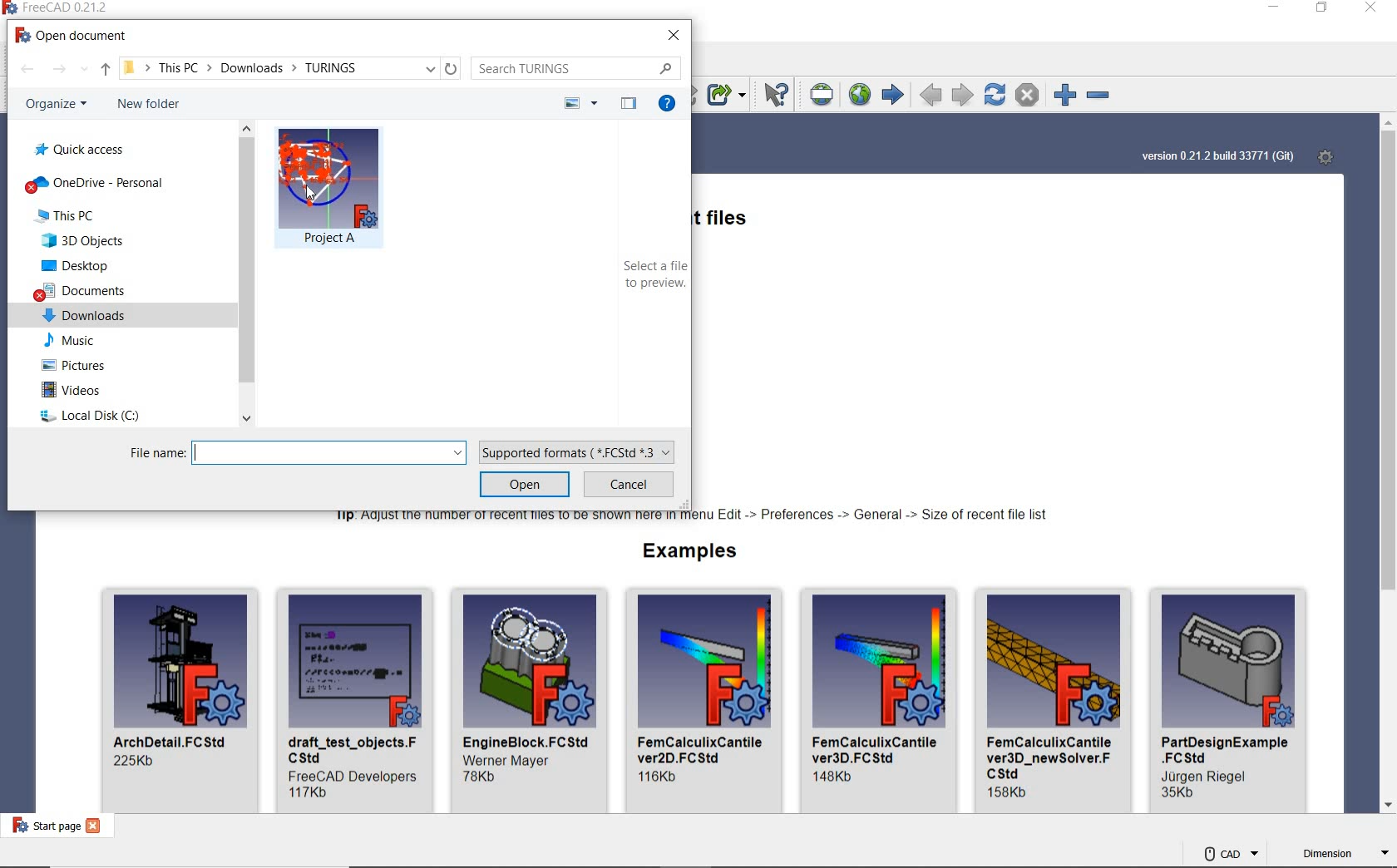  I want to click on CHANGE YOUR VIEW, so click(580, 104).